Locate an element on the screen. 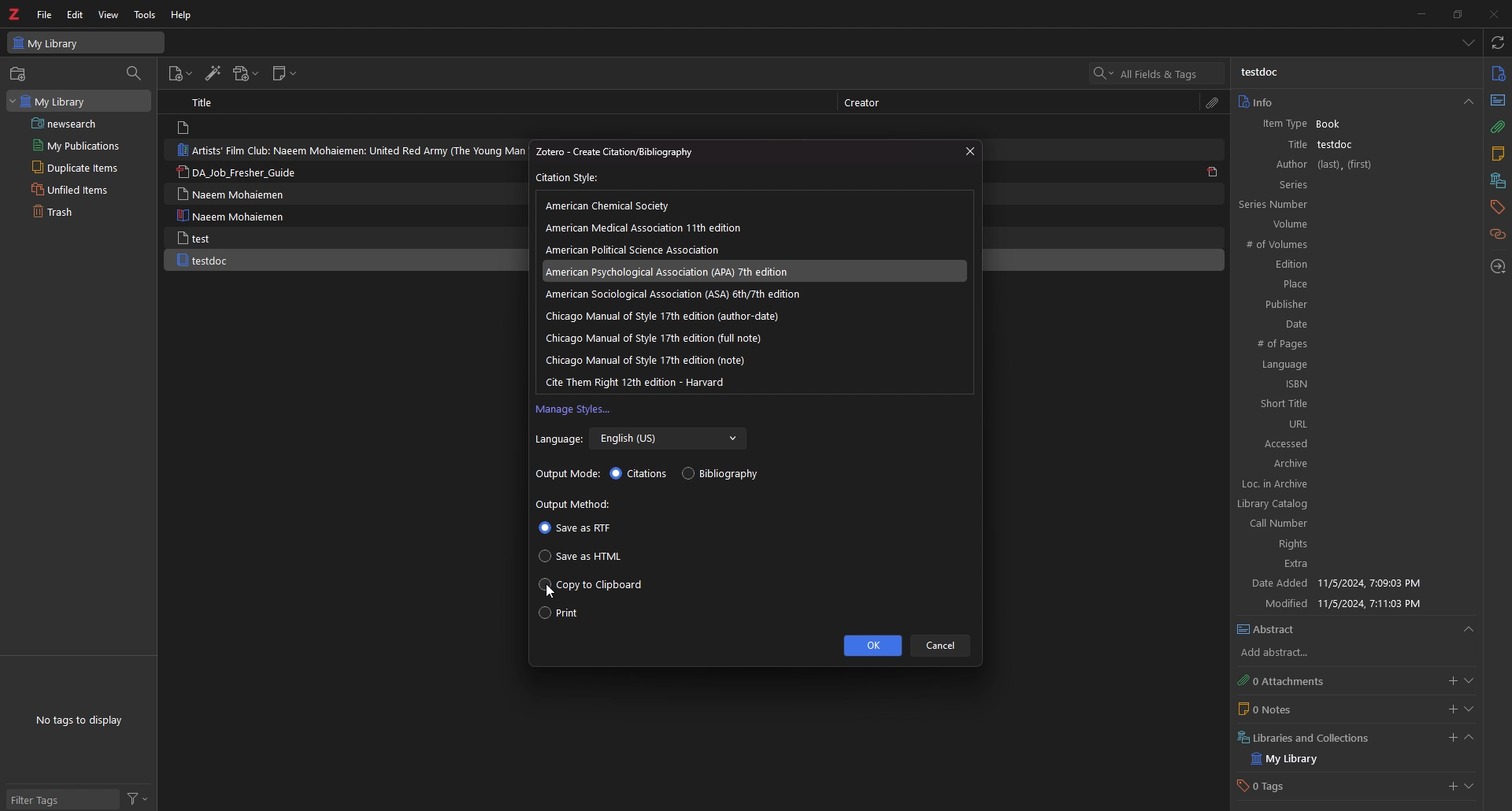  Author (last),(first) is located at coordinates (1353, 165).